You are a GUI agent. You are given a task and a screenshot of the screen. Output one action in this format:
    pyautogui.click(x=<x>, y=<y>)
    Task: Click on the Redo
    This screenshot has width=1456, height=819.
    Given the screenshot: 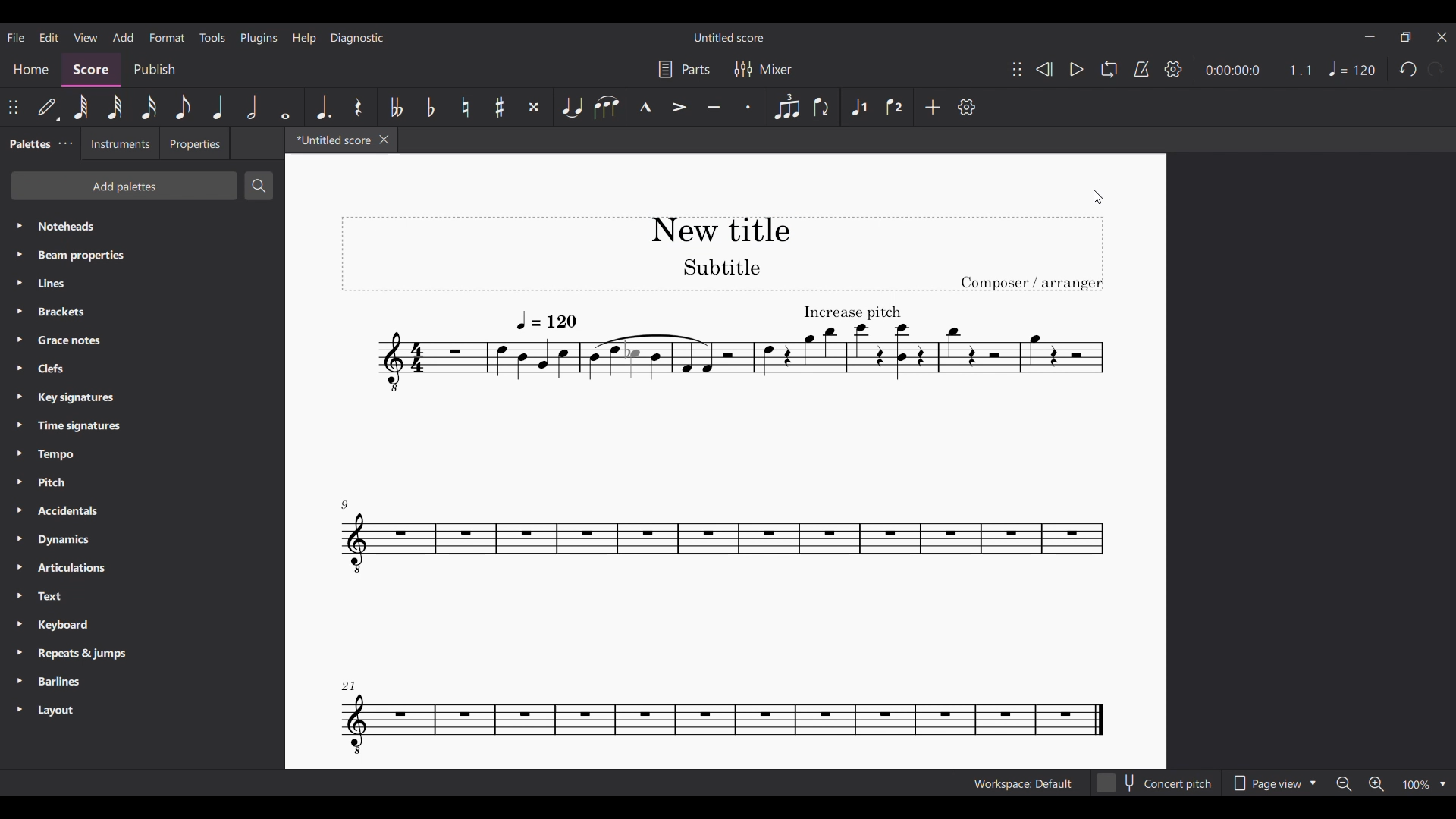 What is the action you would take?
    pyautogui.click(x=1436, y=69)
    